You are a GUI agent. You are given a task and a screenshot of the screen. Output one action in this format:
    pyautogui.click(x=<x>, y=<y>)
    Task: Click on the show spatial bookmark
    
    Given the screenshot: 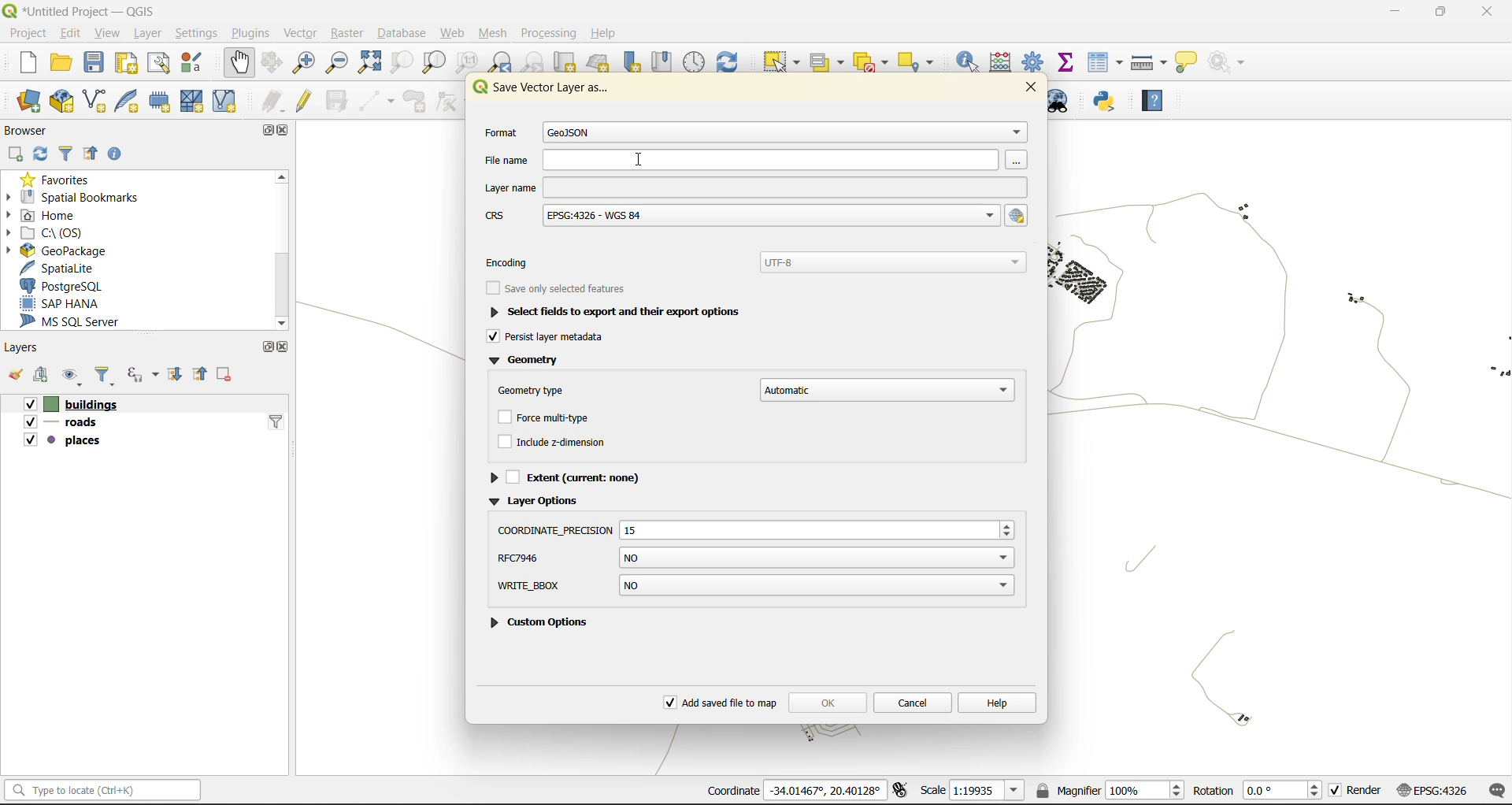 What is the action you would take?
    pyautogui.click(x=665, y=62)
    